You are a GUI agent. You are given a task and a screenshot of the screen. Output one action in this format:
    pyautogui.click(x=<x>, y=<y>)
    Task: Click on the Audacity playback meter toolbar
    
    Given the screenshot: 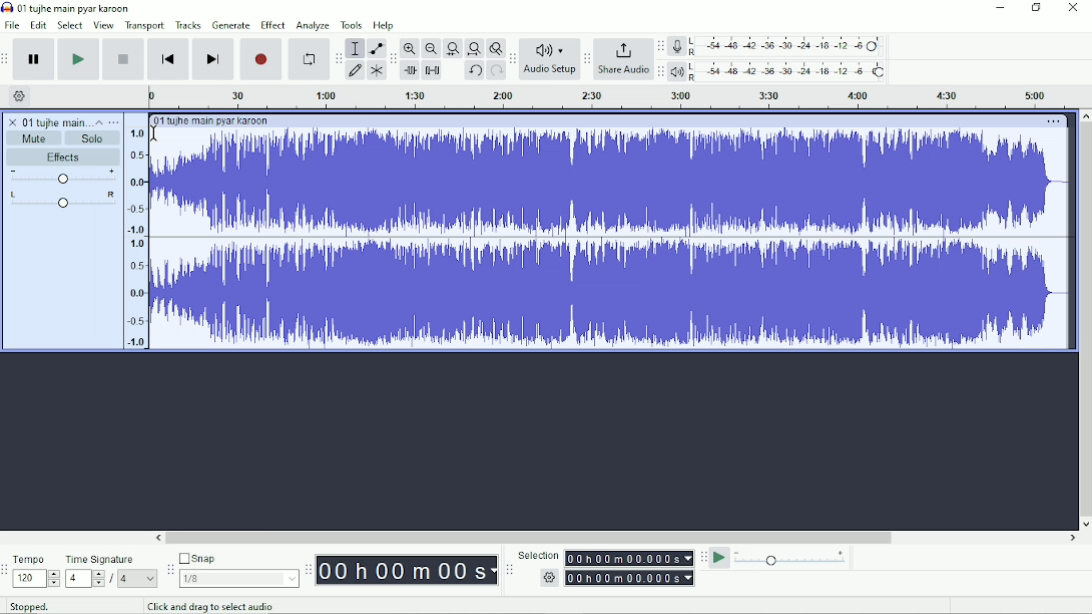 What is the action you would take?
    pyautogui.click(x=660, y=73)
    